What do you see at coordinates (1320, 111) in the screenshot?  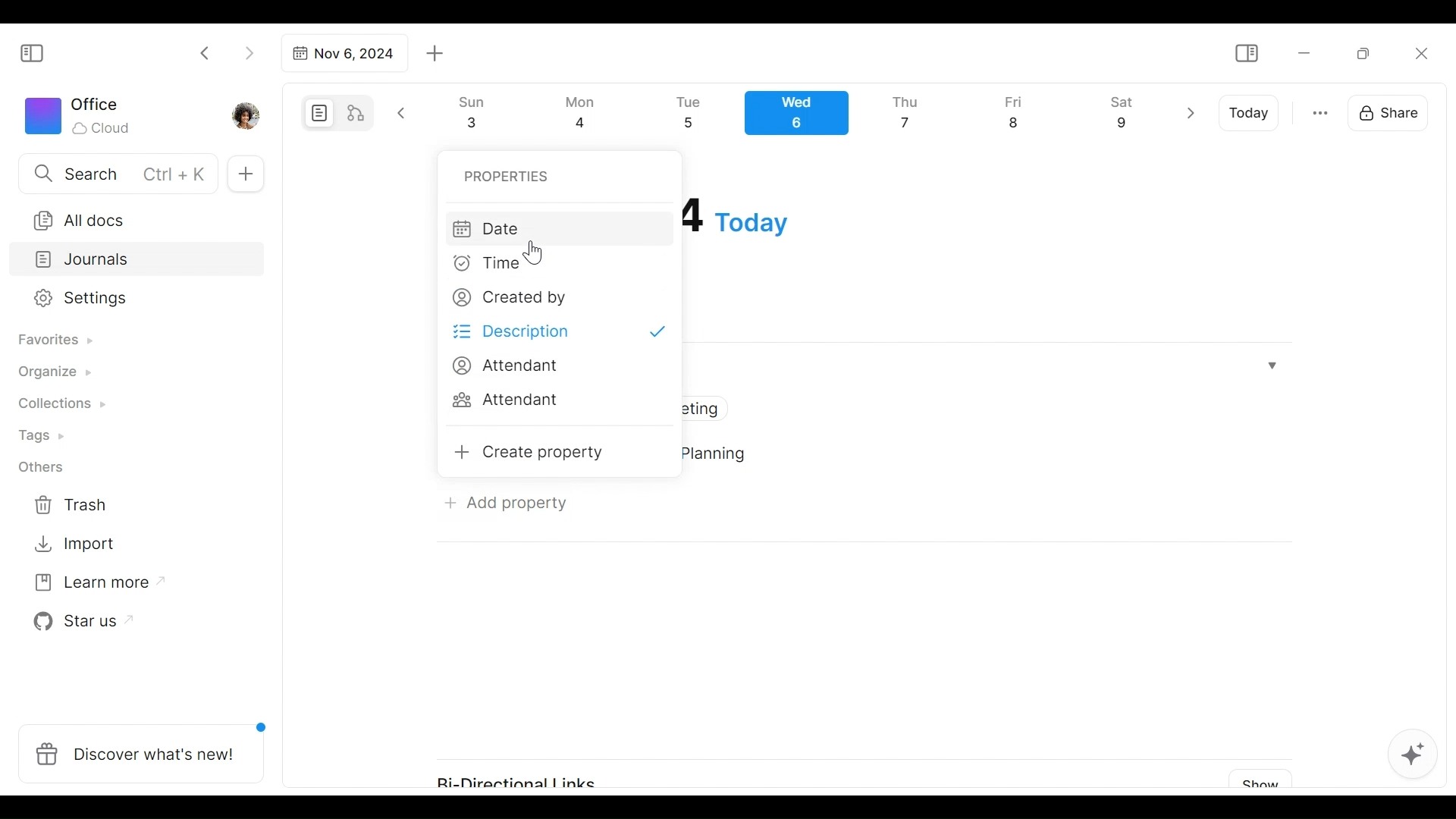 I see `more otions` at bounding box center [1320, 111].